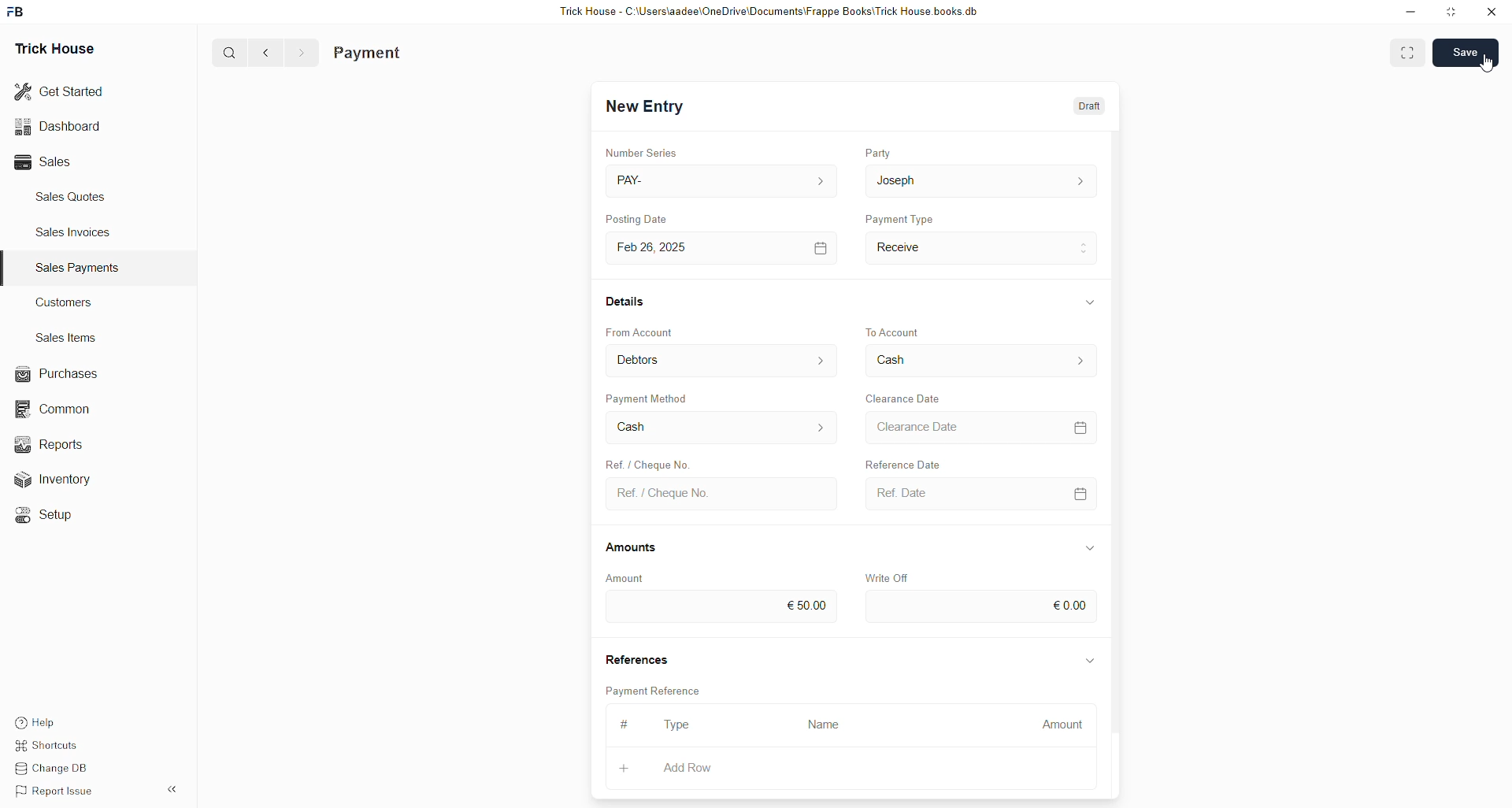 Image resolution: width=1512 pixels, height=808 pixels. Describe the element at coordinates (646, 462) in the screenshot. I see `Ref. / Cheque No.` at that location.